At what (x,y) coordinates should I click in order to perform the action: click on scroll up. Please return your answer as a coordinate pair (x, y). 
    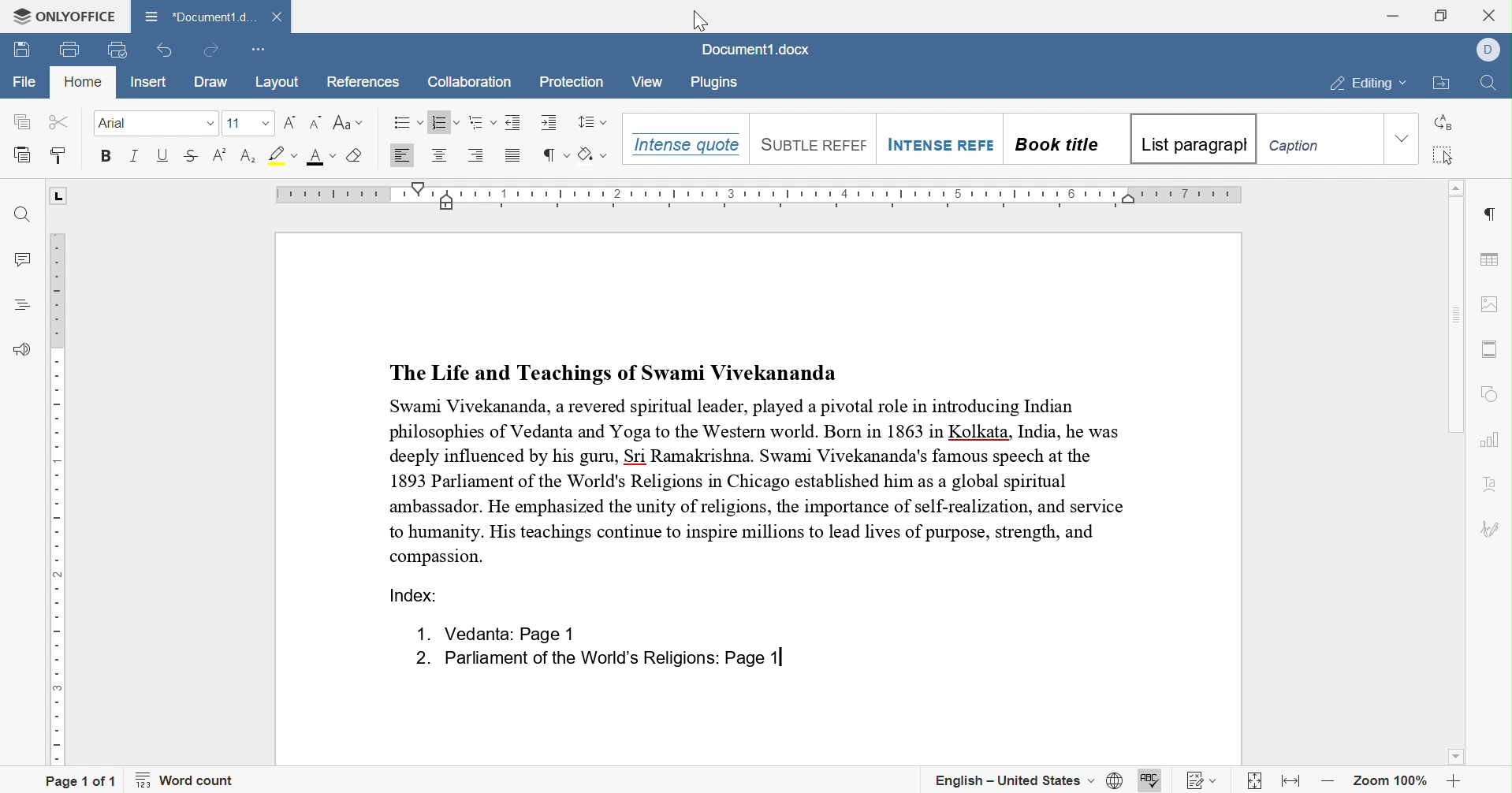
    Looking at the image, I should click on (1458, 185).